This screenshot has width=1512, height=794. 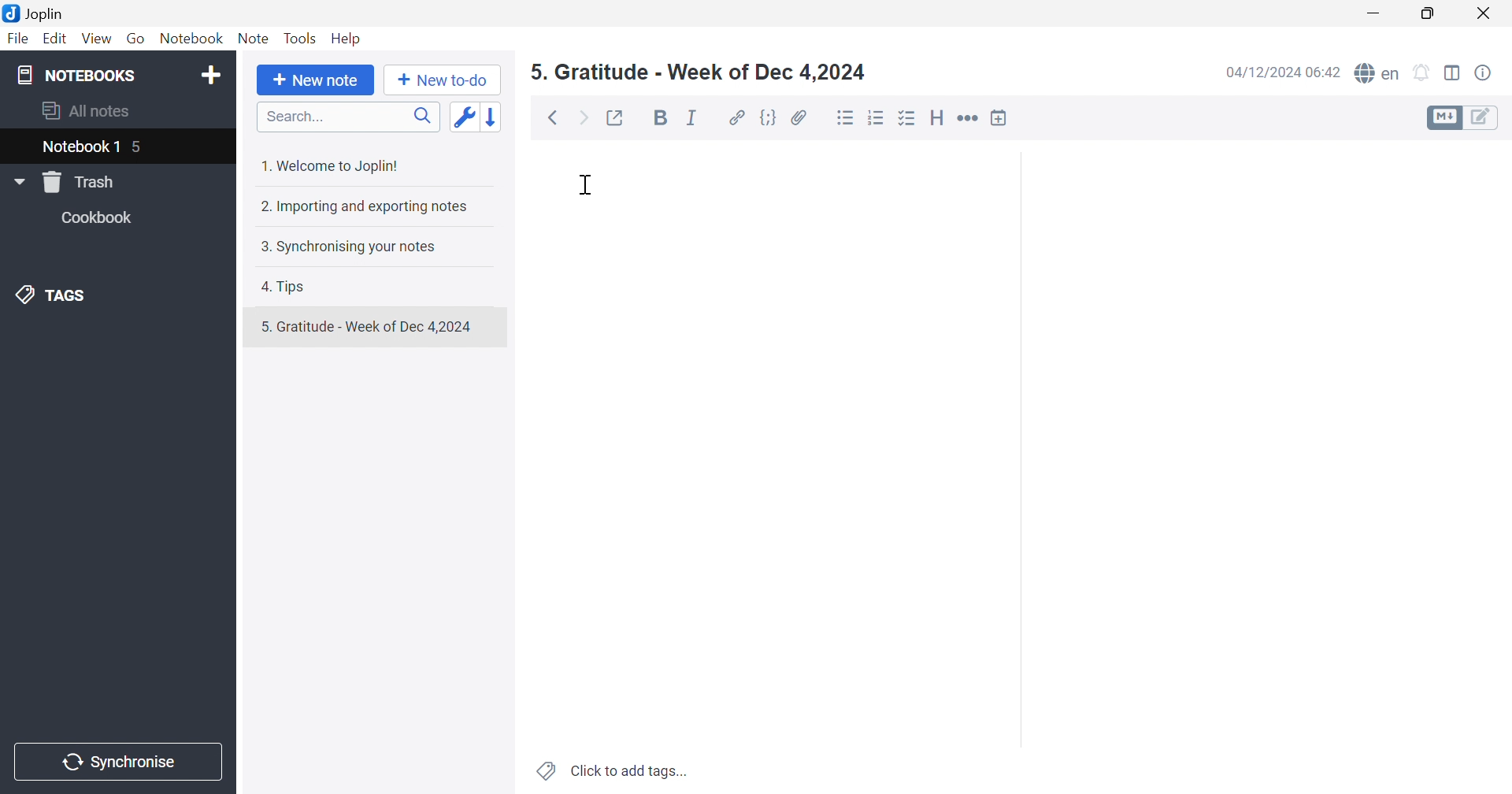 What do you see at coordinates (59, 295) in the screenshot?
I see `TAGS` at bounding box center [59, 295].